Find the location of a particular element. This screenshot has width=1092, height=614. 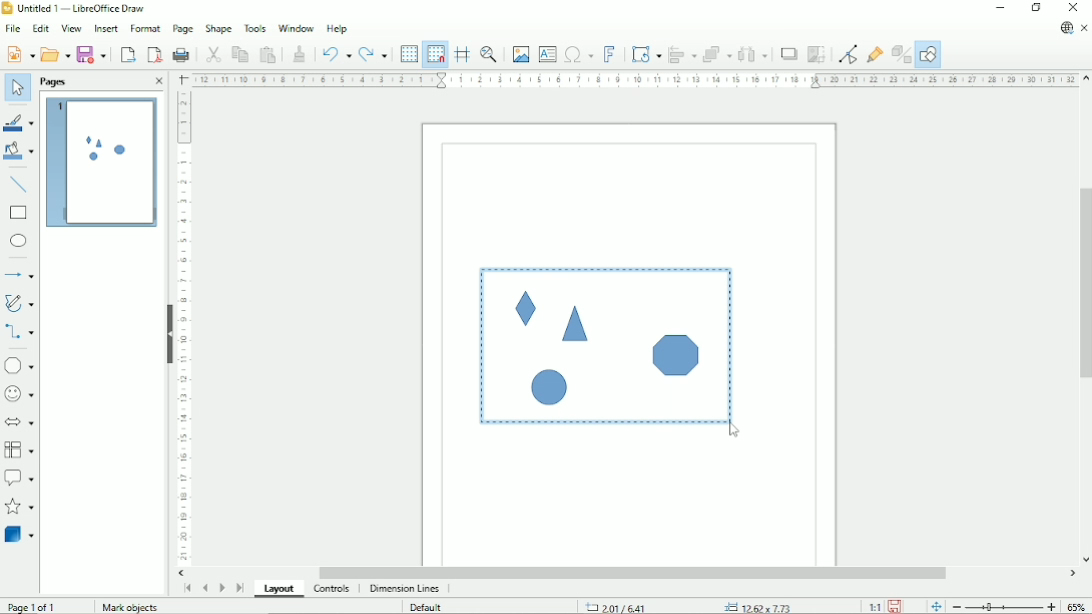

Vertical scrollbar is located at coordinates (1084, 286).